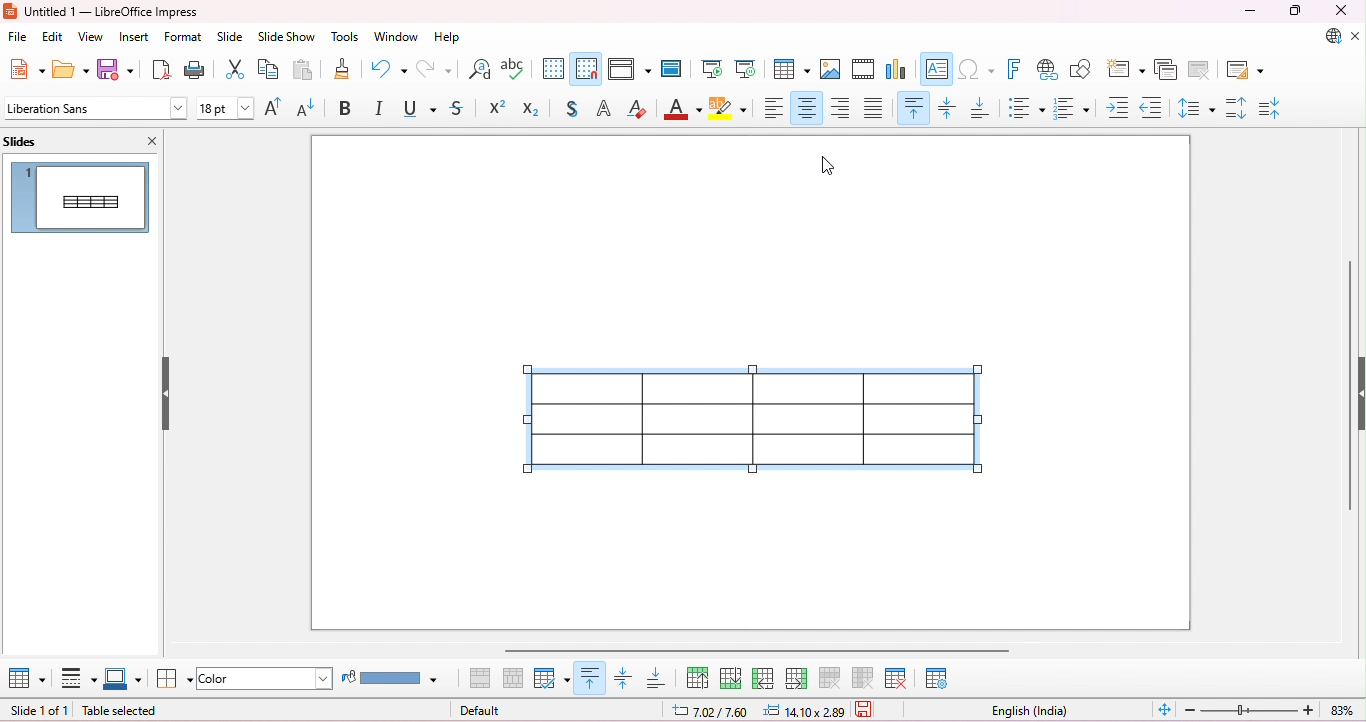  Describe the element at coordinates (381, 108) in the screenshot. I see `italics` at that location.